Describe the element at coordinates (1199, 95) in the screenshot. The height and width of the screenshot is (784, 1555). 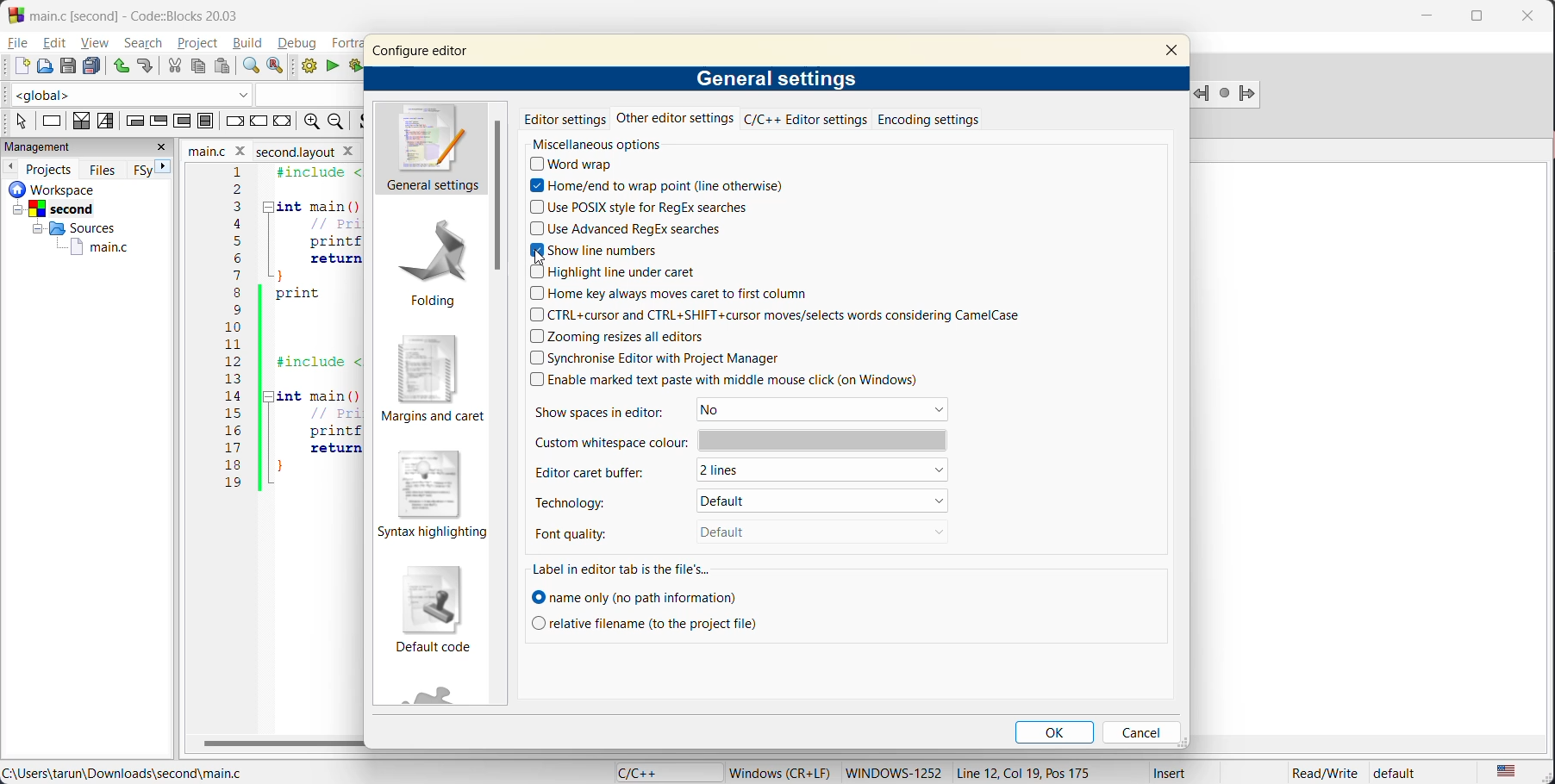
I see `Jump back` at that location.